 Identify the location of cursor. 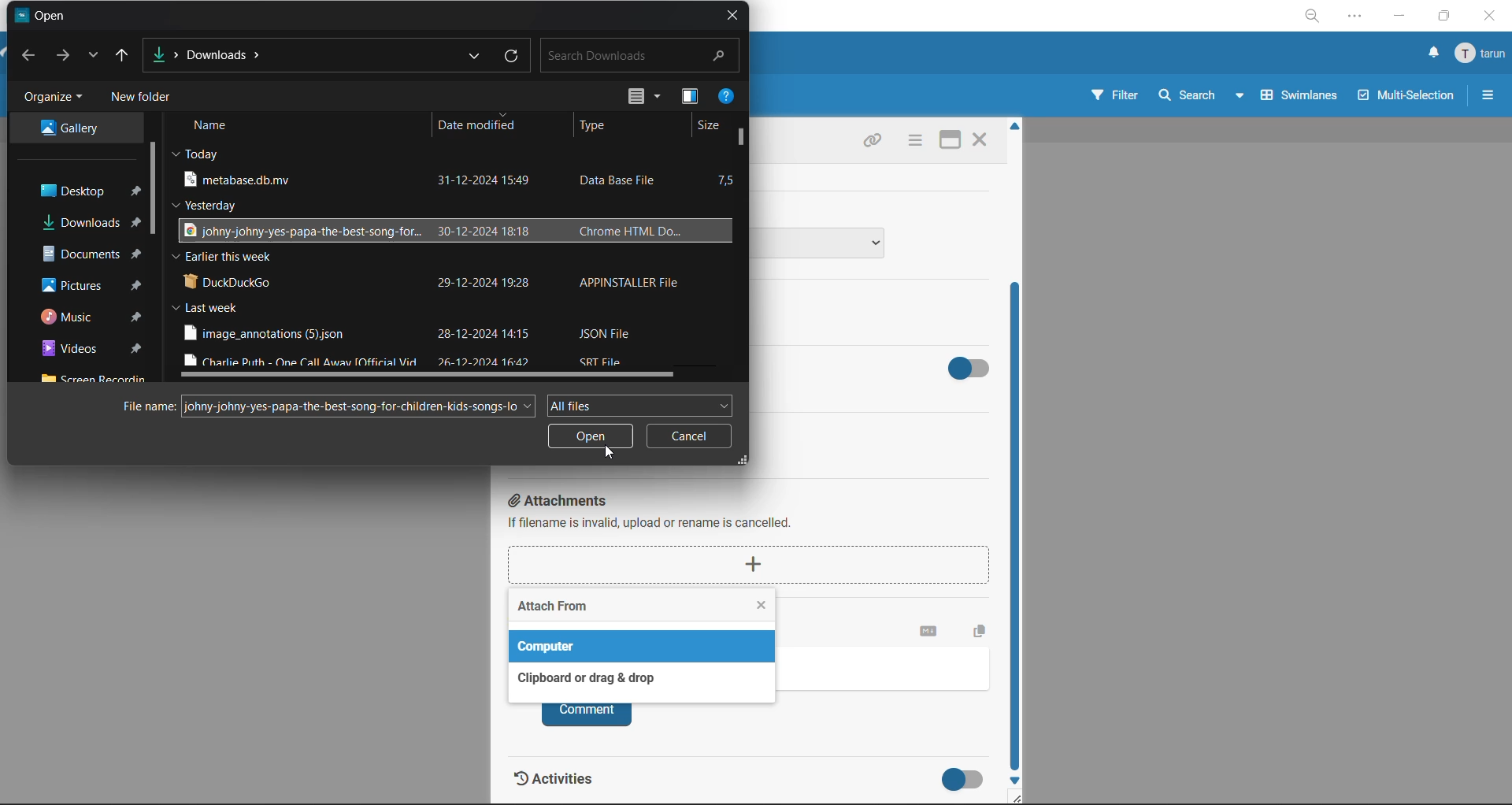
(610, 453).